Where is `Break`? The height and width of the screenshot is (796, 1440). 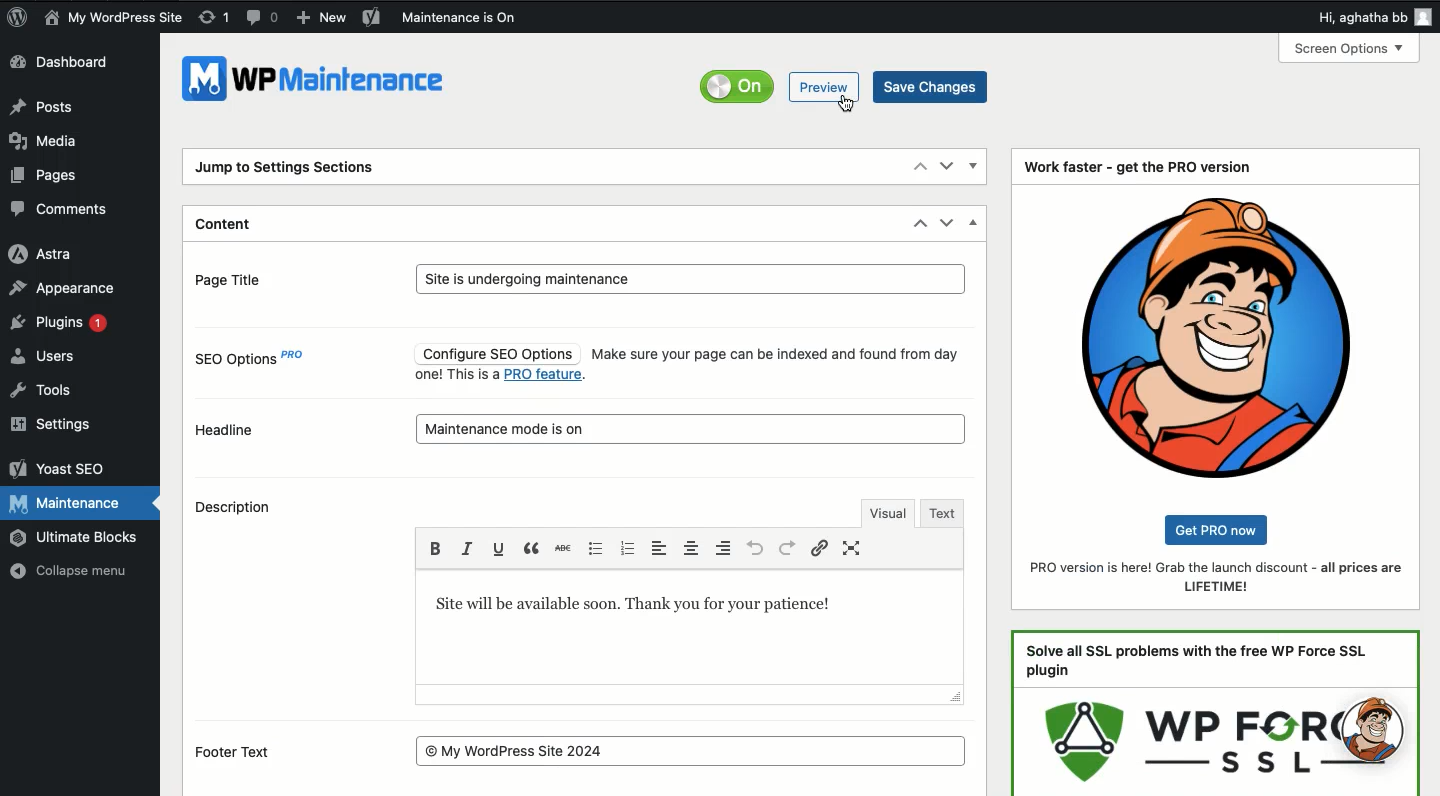
Break is located at coordinates (533, 547).